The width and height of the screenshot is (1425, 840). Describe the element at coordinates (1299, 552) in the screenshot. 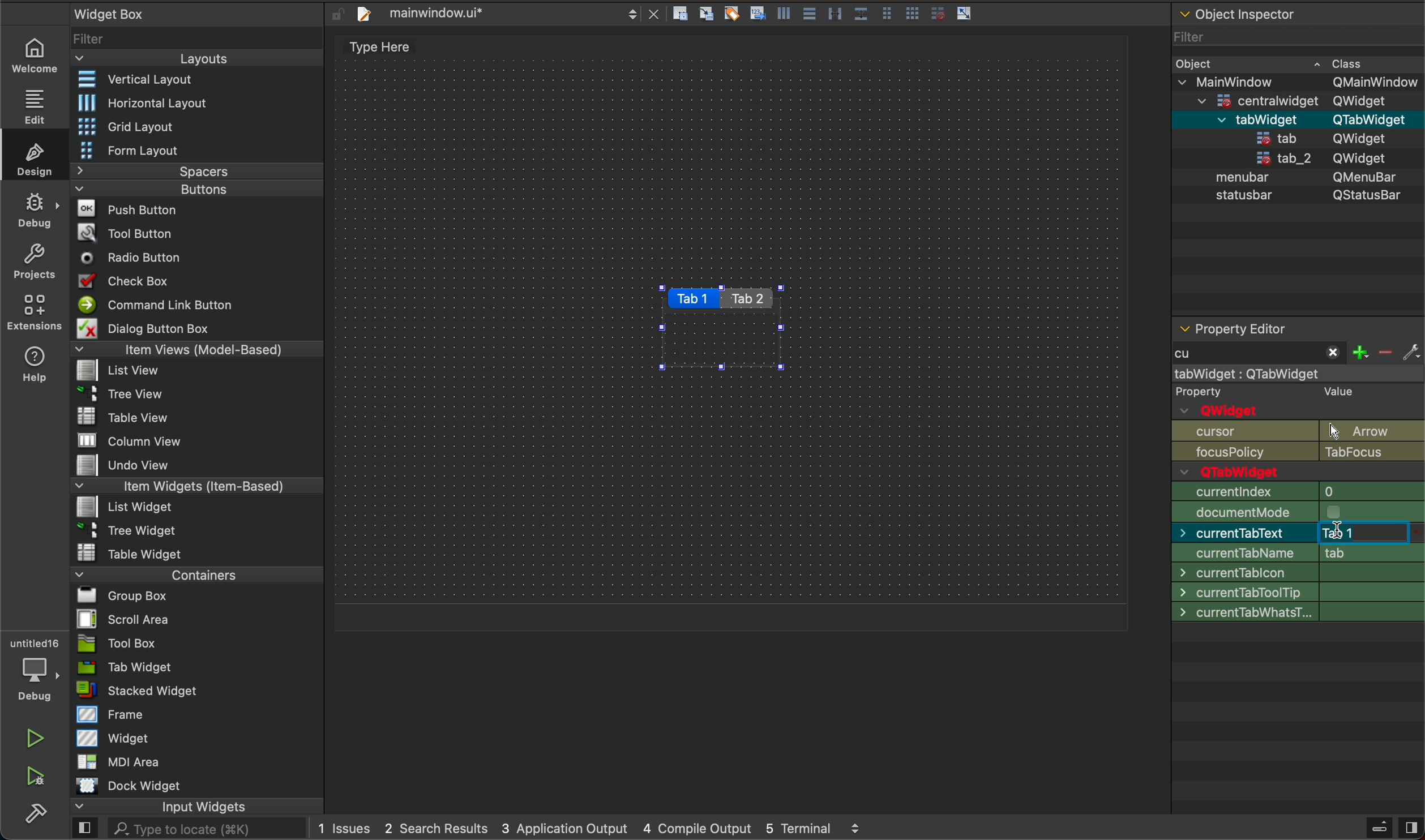

I see `` at that location.